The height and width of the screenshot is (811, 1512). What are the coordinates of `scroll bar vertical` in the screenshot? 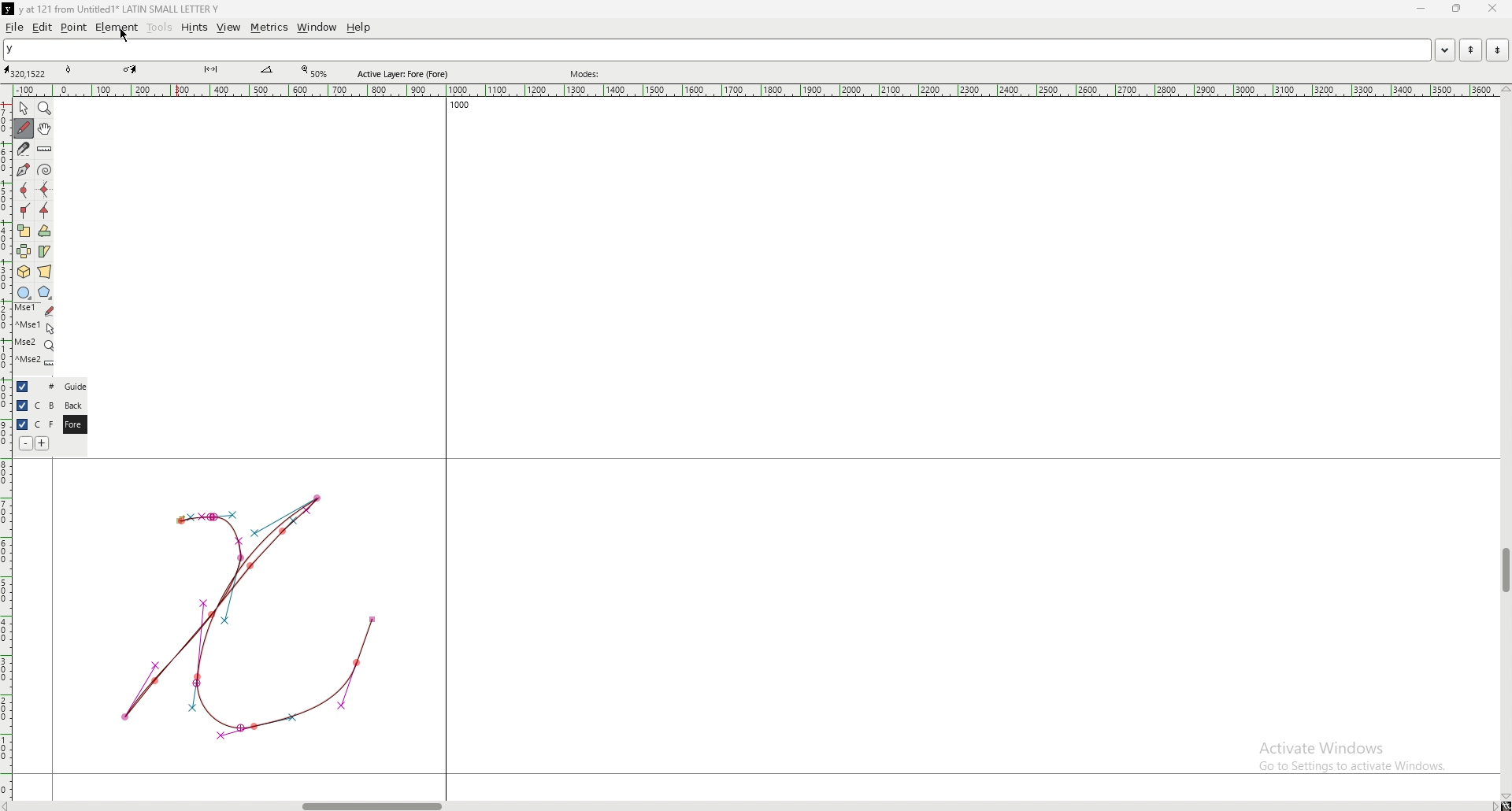 It's located at (1505, 571).